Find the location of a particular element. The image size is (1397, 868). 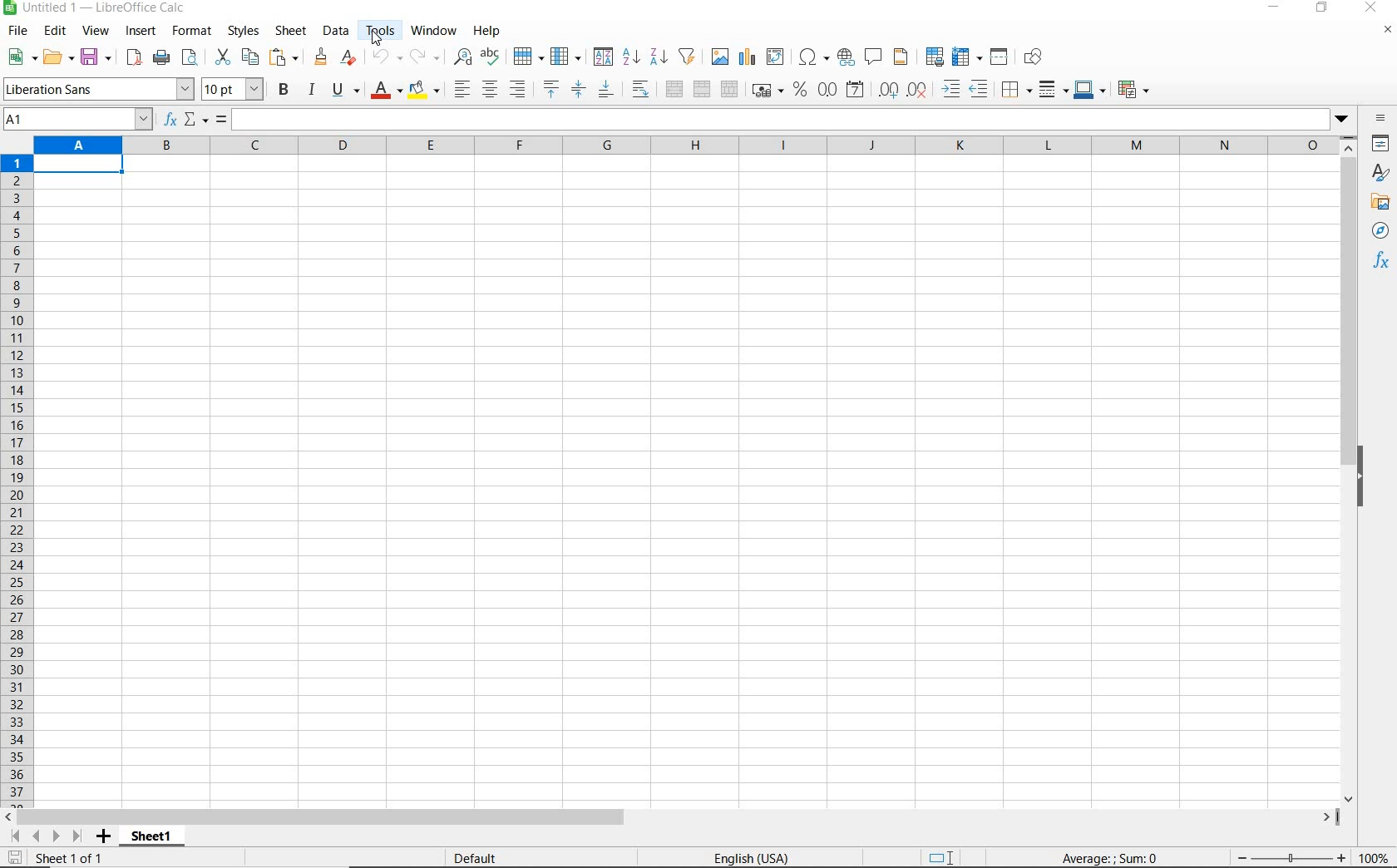

spelling is located at coordinates (490, 55).